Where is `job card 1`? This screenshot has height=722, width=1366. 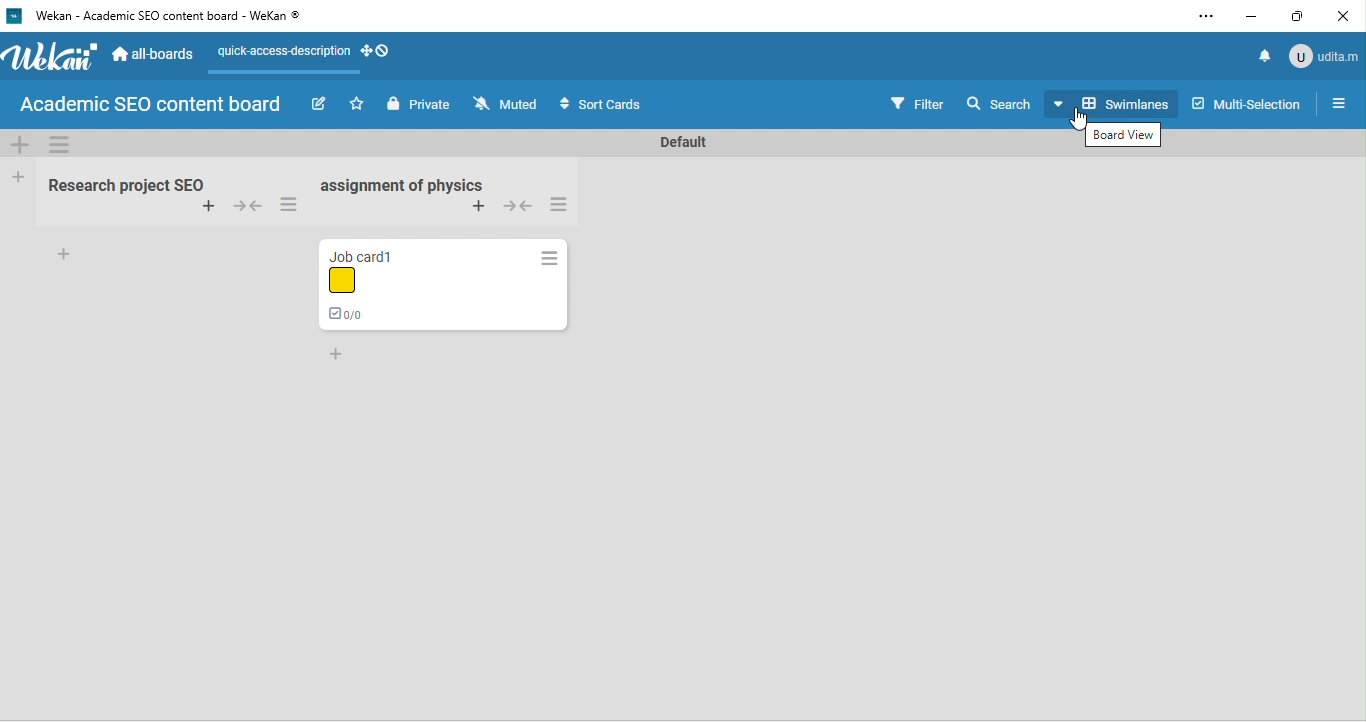
job card 1 is located at coordinates (390, 286).